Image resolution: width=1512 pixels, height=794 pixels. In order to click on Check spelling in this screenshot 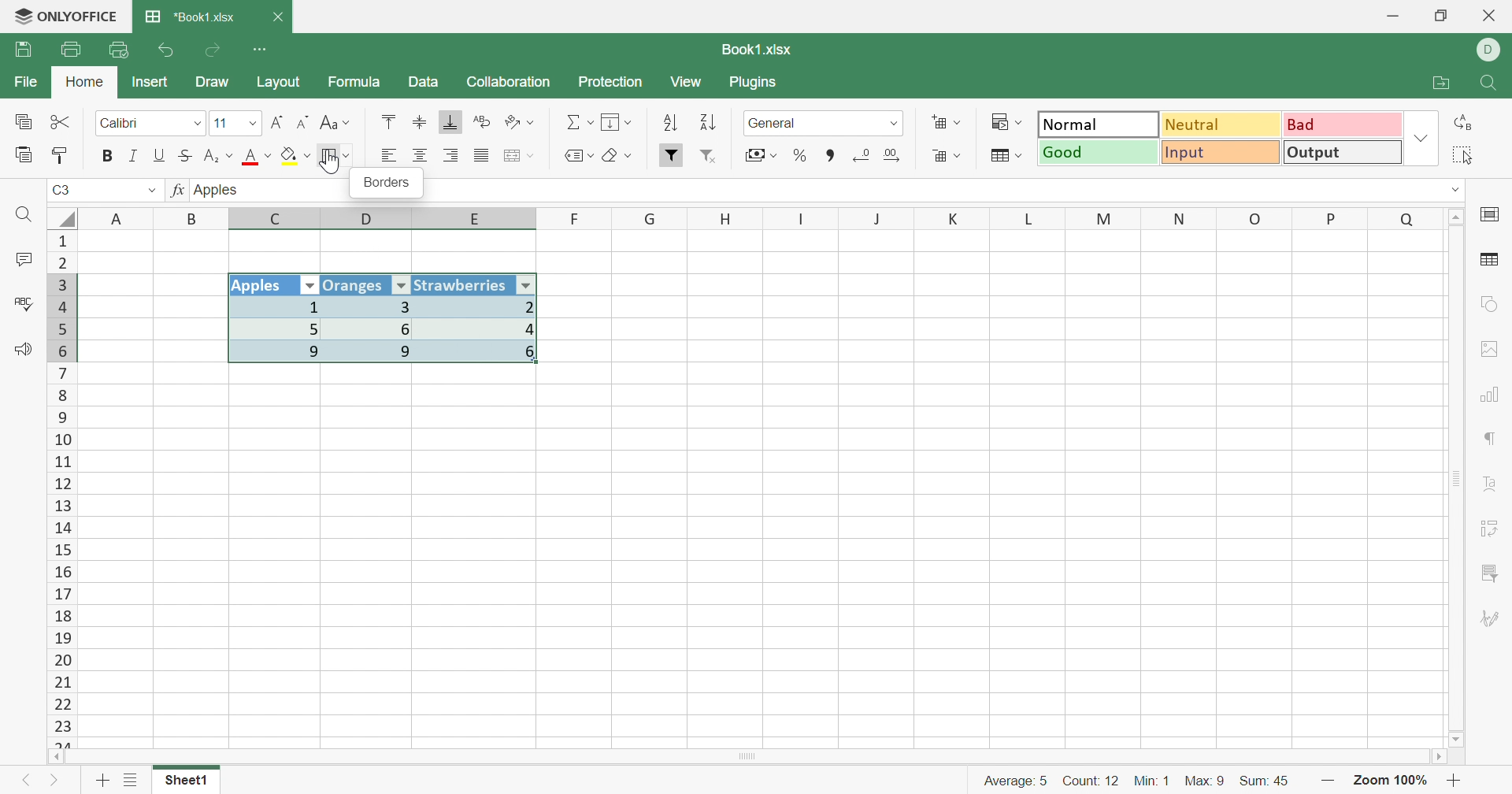, I will do `click(21, 304)`.